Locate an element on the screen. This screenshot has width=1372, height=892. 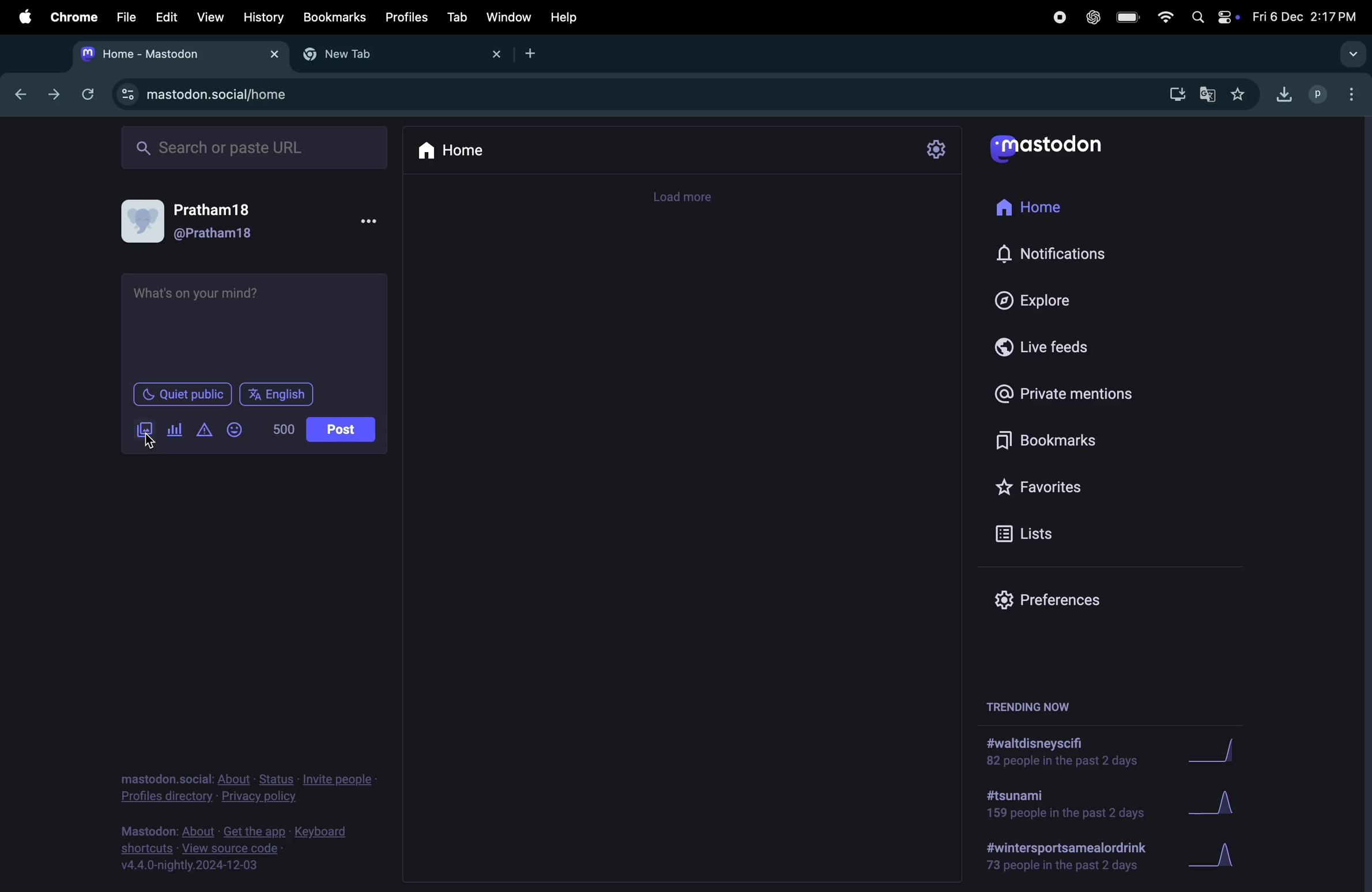
battery is located at coordinates (1129, 18).